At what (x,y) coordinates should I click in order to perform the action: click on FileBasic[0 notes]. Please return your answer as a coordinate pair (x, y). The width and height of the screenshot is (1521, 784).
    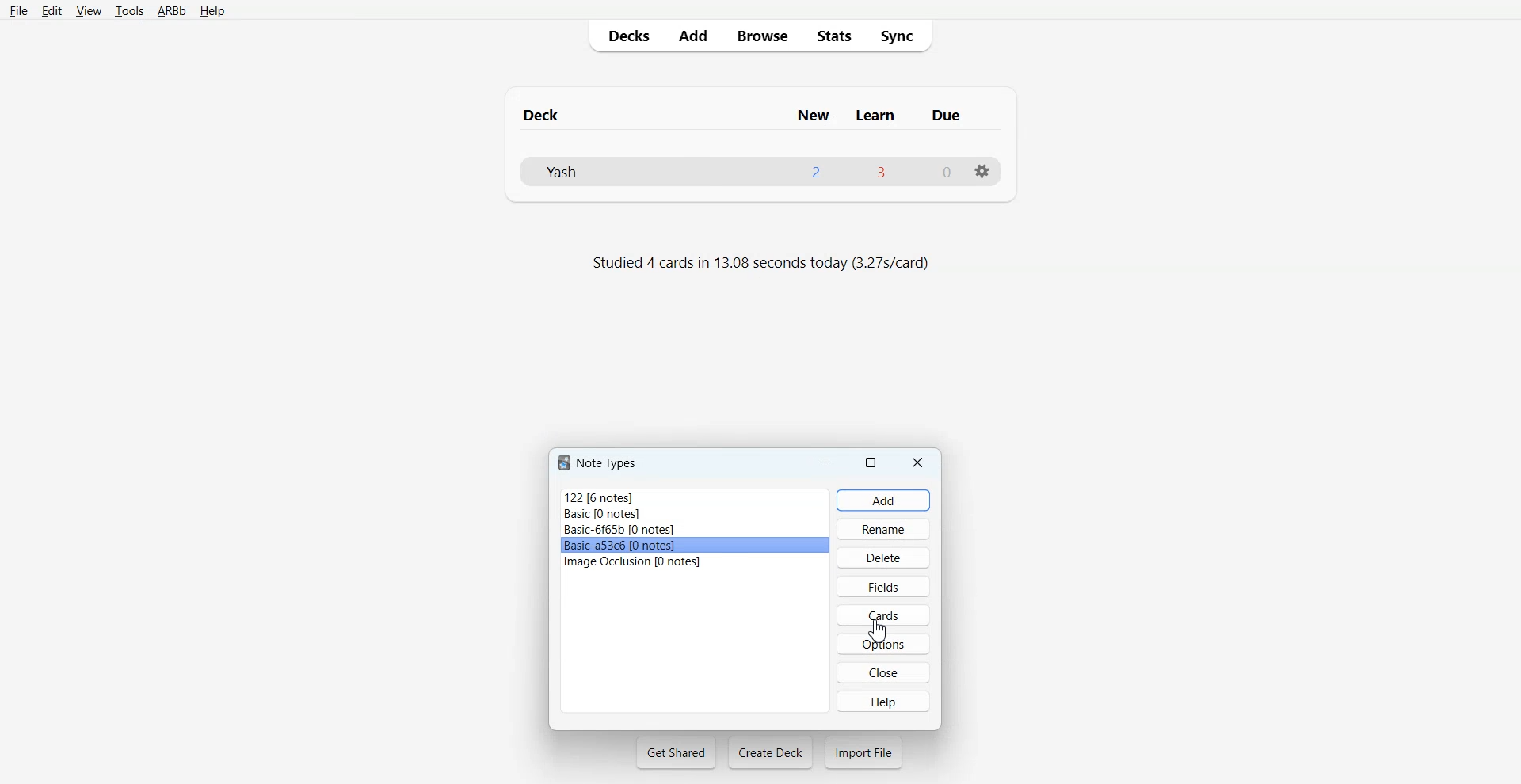
    Looking at the image, I should click on (695, 514).